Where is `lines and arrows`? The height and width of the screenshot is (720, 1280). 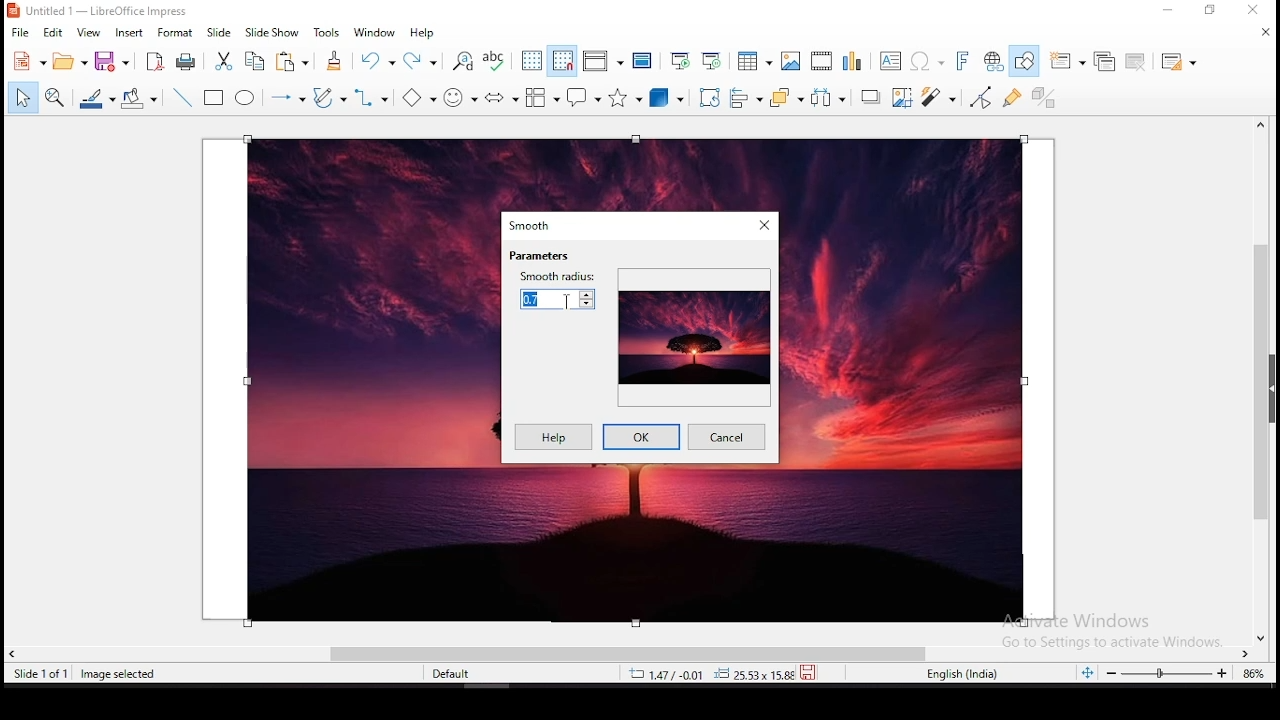
lines and arrows is located at coordinates (285, 97).